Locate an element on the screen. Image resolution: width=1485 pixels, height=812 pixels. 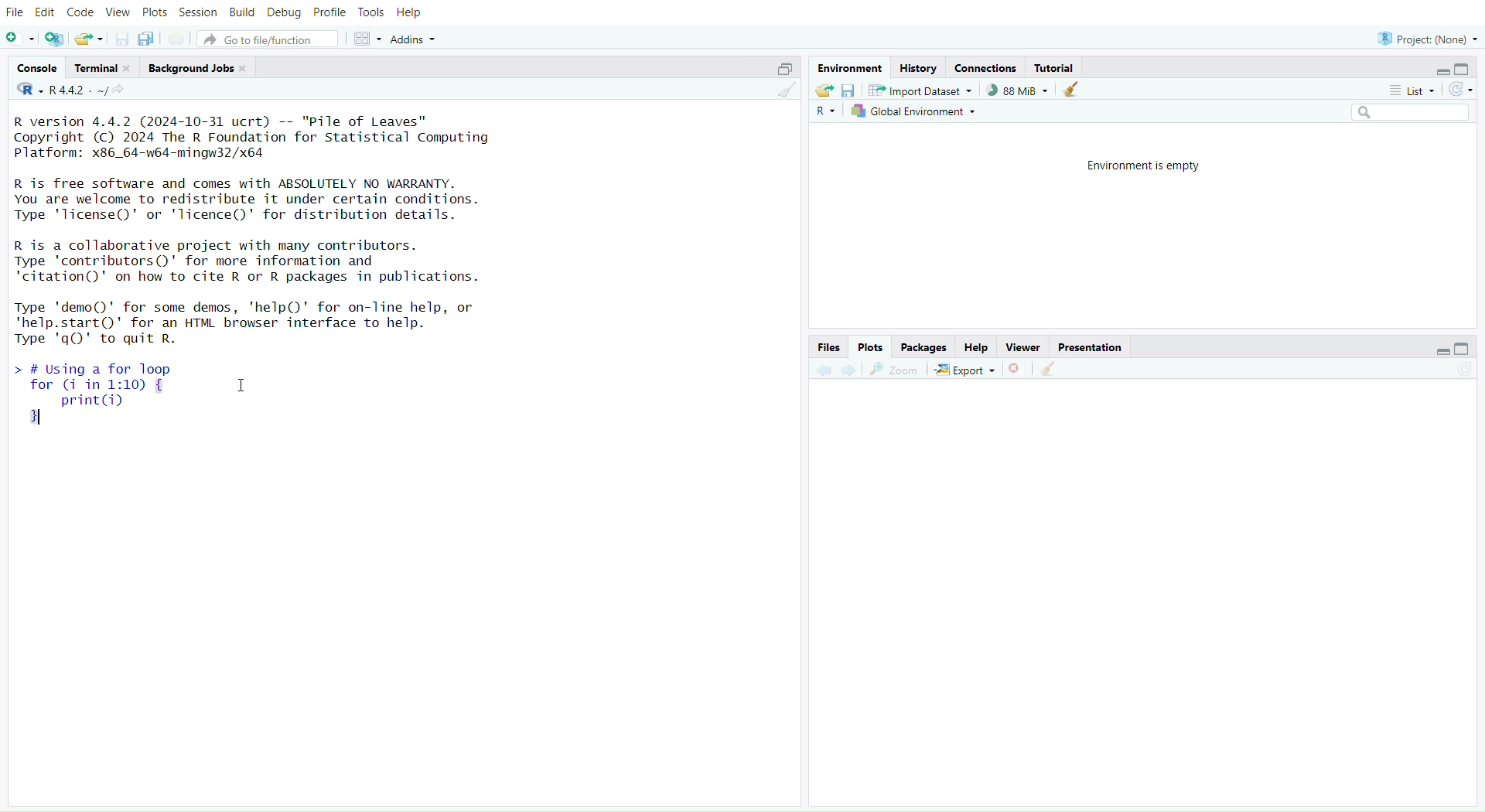
environment is located at coordinates (850, 70).